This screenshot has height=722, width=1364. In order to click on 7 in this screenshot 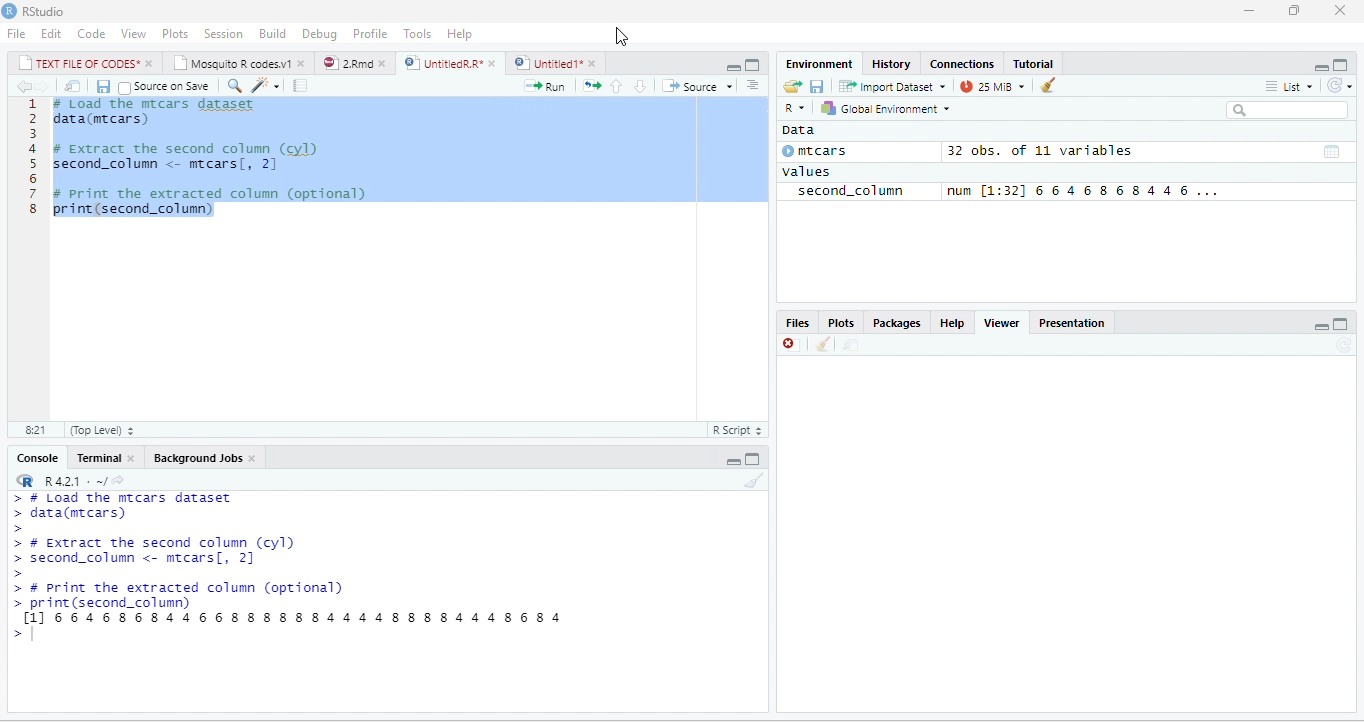, I will do `click(32, 193)`.